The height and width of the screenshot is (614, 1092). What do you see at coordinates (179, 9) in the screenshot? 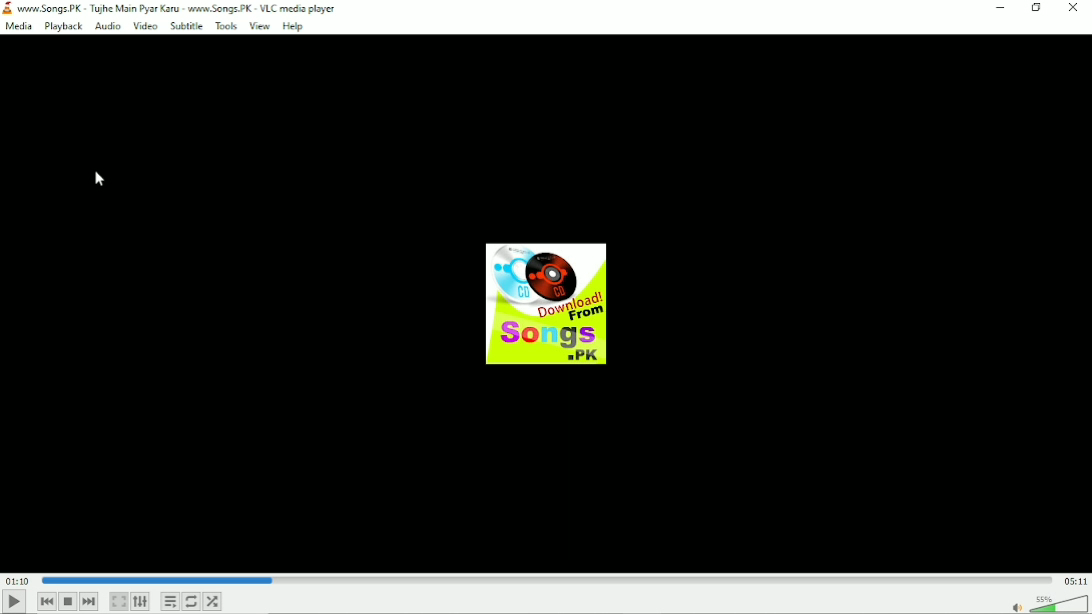
I see `‘www. Songs. PK - Tughe Main Pyar Karu - www.Songs. PK - VLC media player` at bounding box center [179, 9].